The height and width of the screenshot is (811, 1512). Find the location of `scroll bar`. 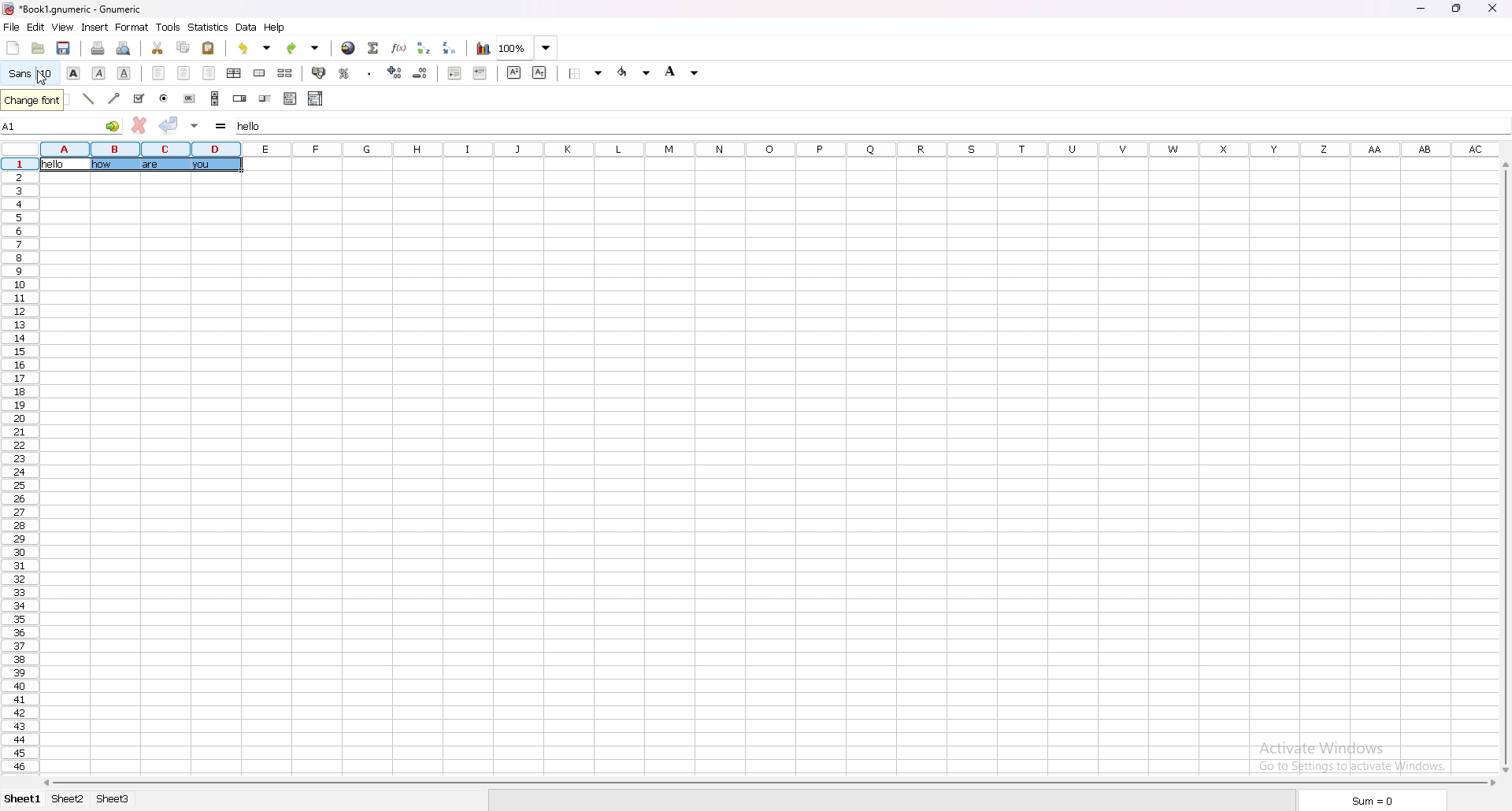

scroll bar is located at coordinates (1504, 466).